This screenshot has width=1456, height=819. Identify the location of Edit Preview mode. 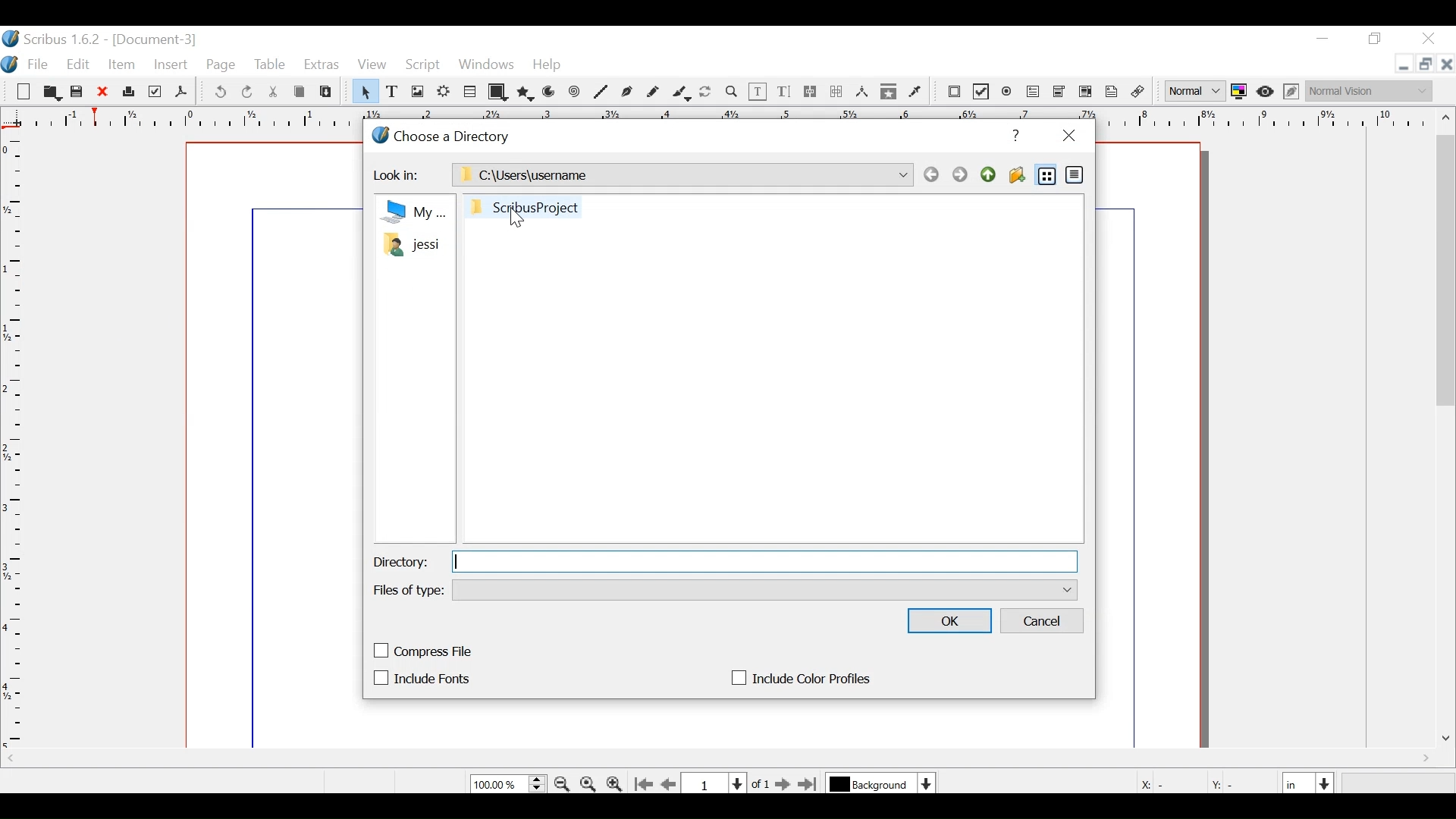
(1293, 93).